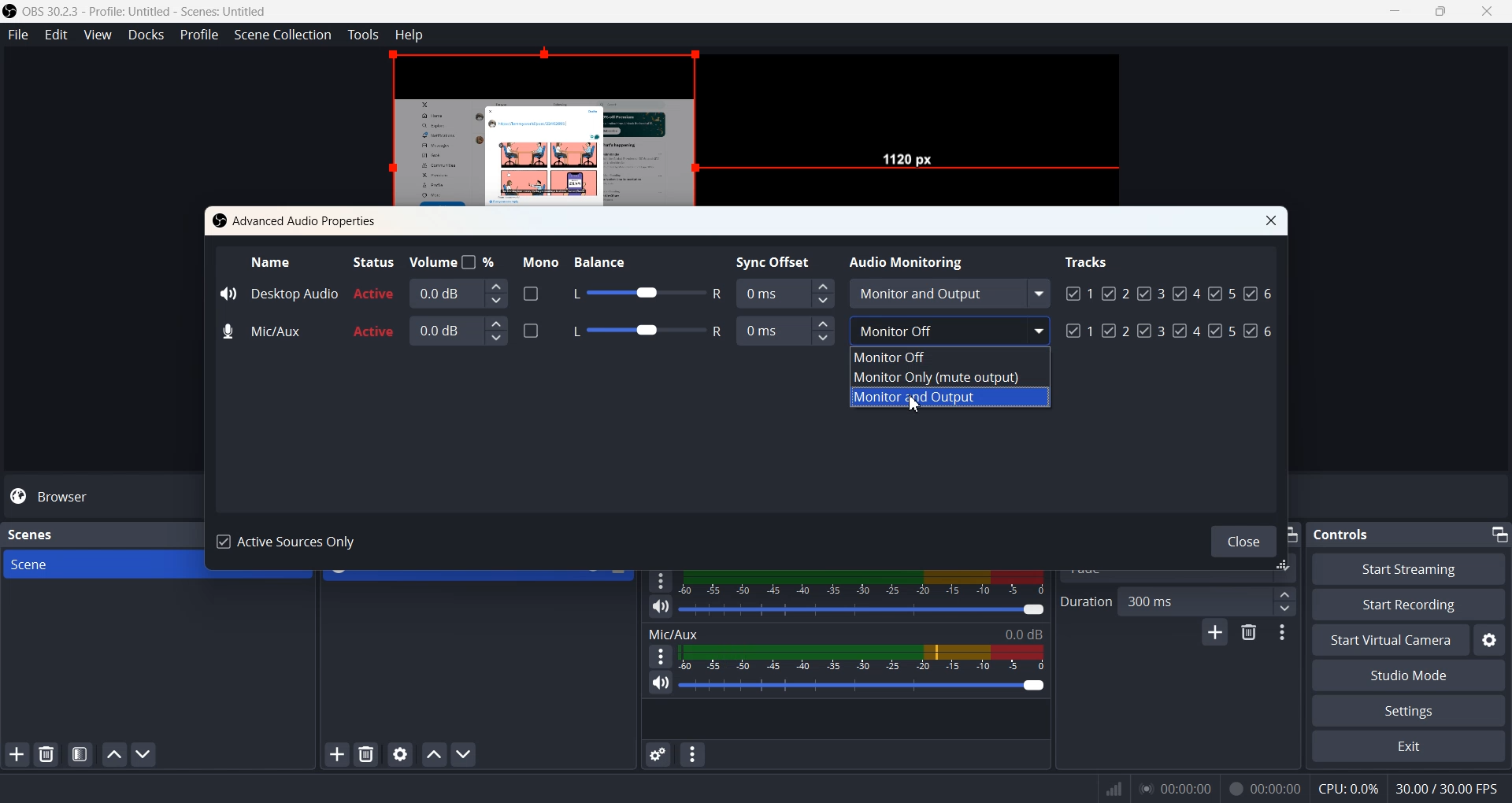 Image resolution: width=1512 pixels, height=803 pixels. Describe the element at coordinates (459, 330) in the screenshot. I see `0.0 dB` at that location.